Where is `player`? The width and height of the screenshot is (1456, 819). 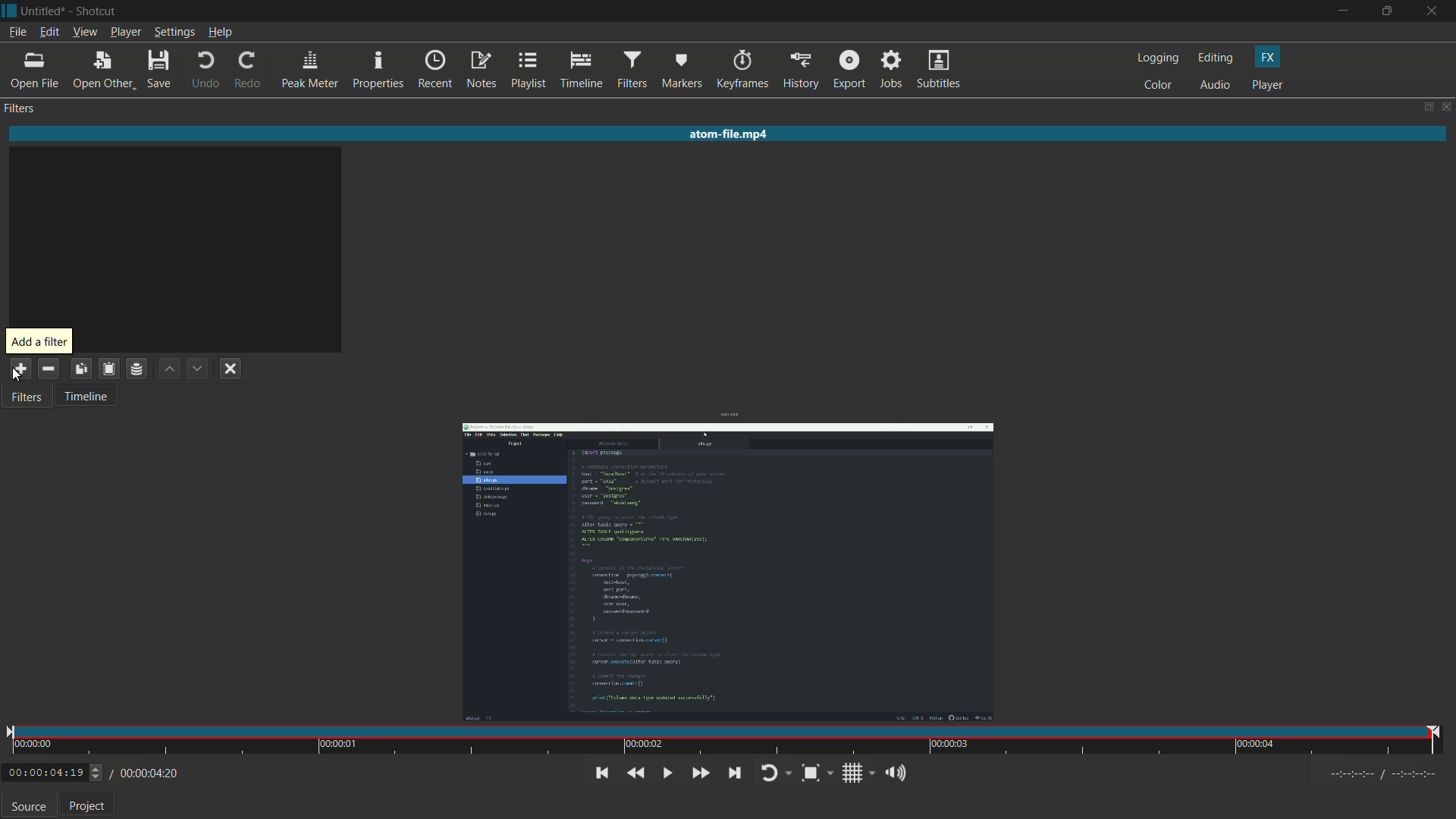 player is located at coordinates (1268, 84).